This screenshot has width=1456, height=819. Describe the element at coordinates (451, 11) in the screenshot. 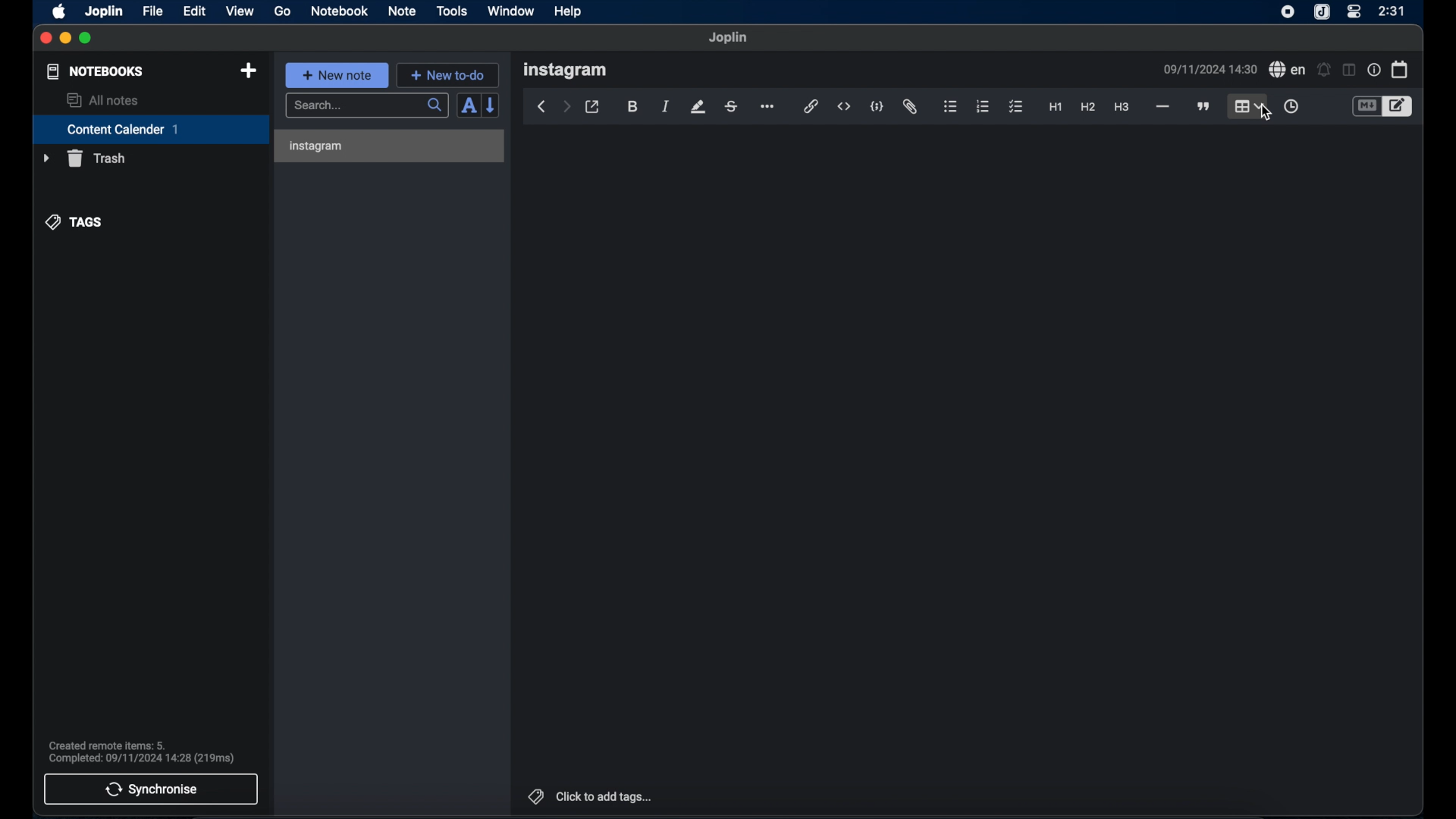

I see `tools` at that location.